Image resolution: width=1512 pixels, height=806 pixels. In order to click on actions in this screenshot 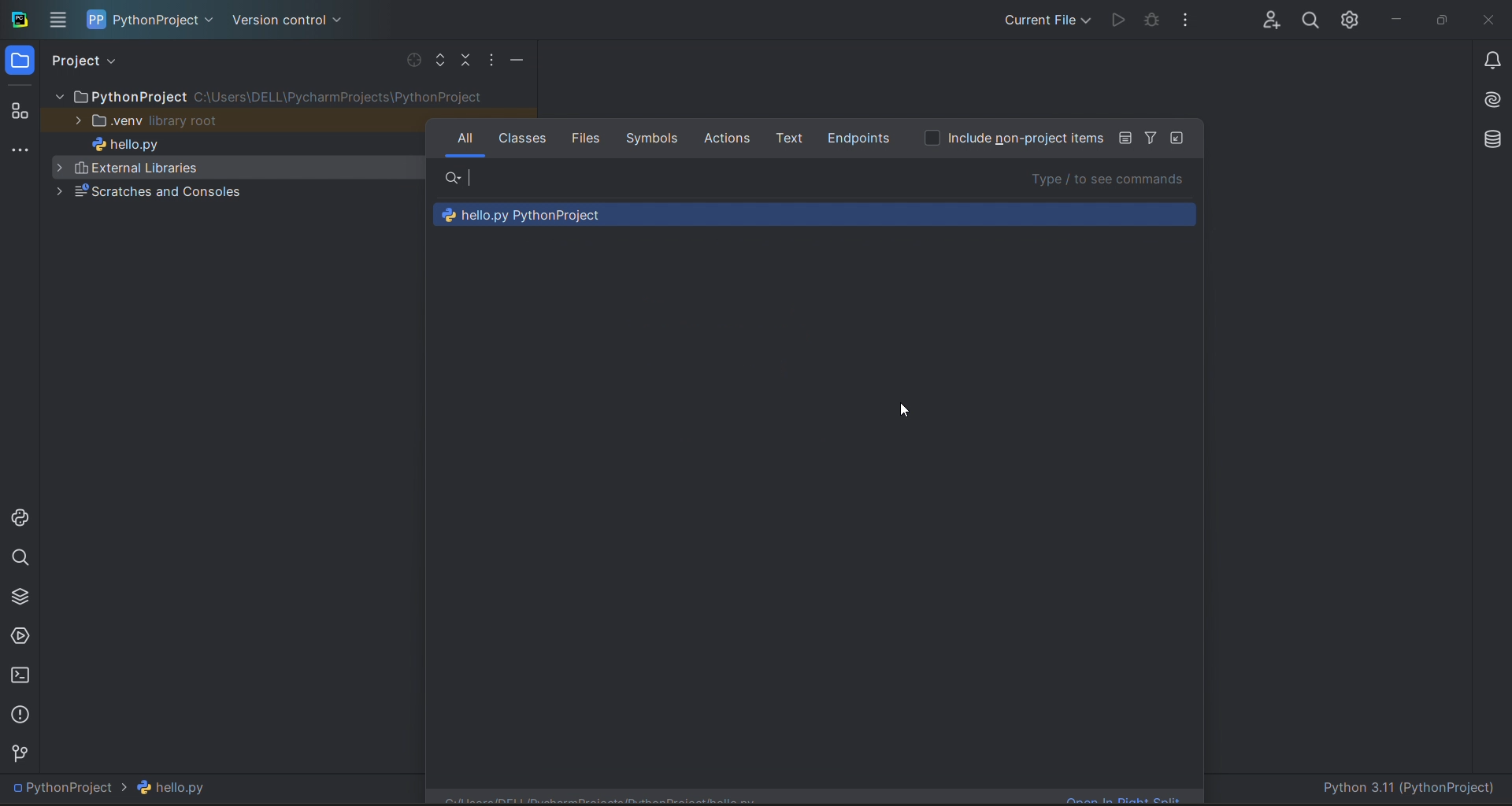, I will do `click(726, 139)`.